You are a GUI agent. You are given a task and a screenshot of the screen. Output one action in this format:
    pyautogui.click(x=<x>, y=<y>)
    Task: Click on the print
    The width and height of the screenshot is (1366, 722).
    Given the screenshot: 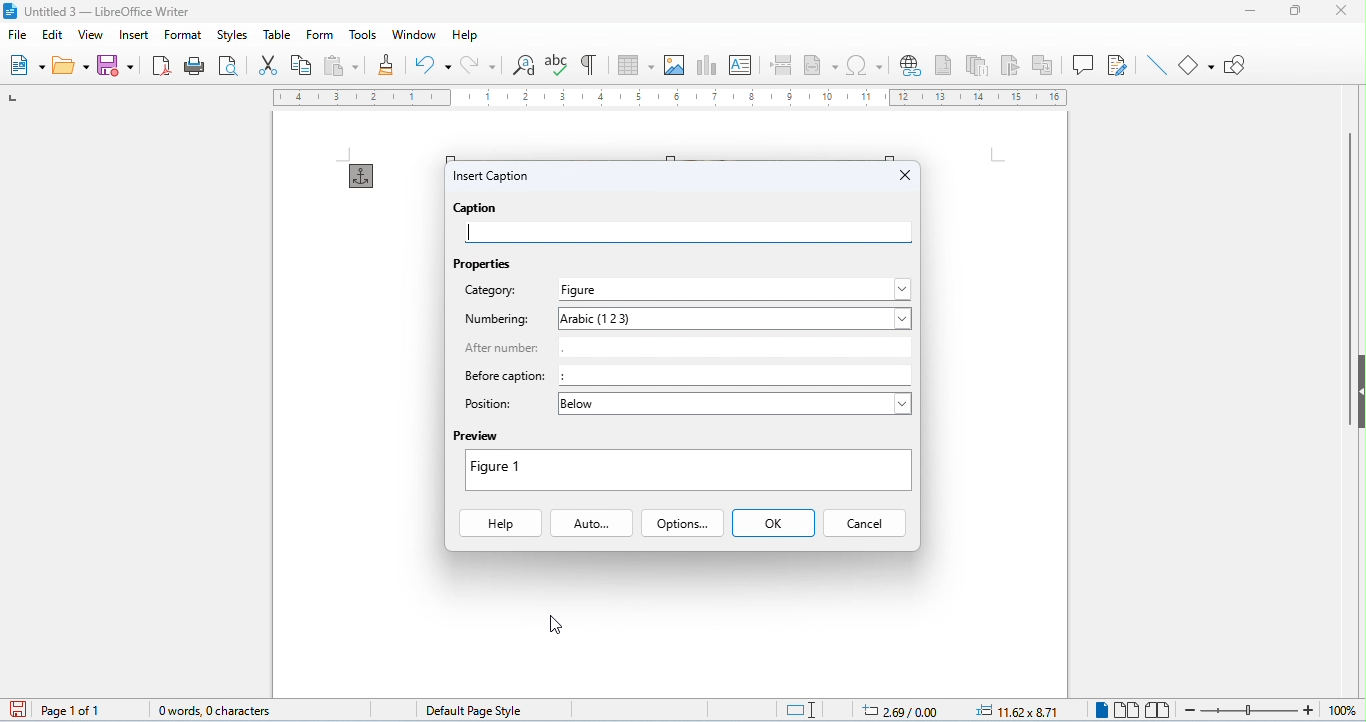 What is the action you would take?
    pyautogui.click(x=197, y=66)
    